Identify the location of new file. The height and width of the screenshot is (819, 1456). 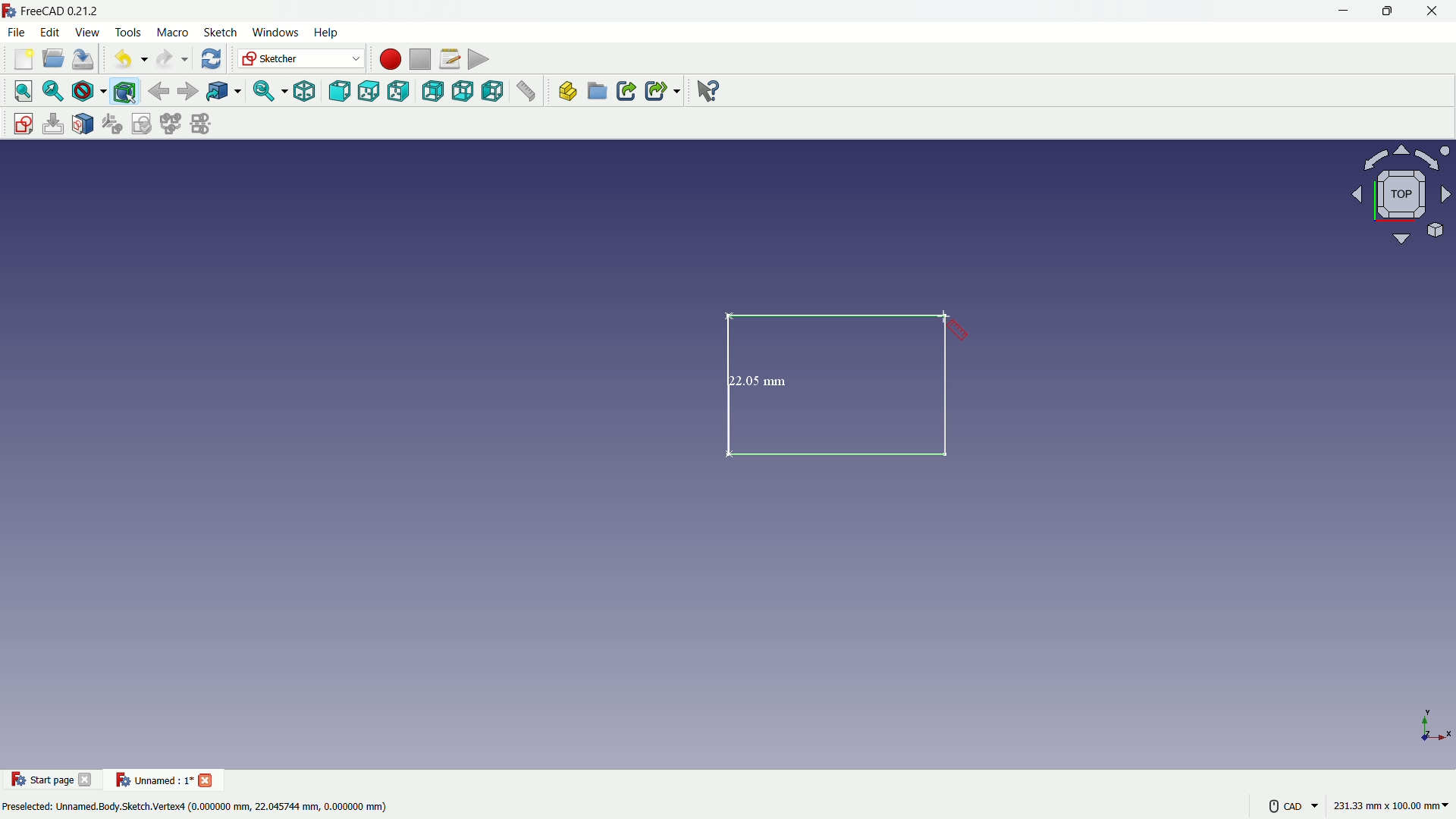
(21, 62).